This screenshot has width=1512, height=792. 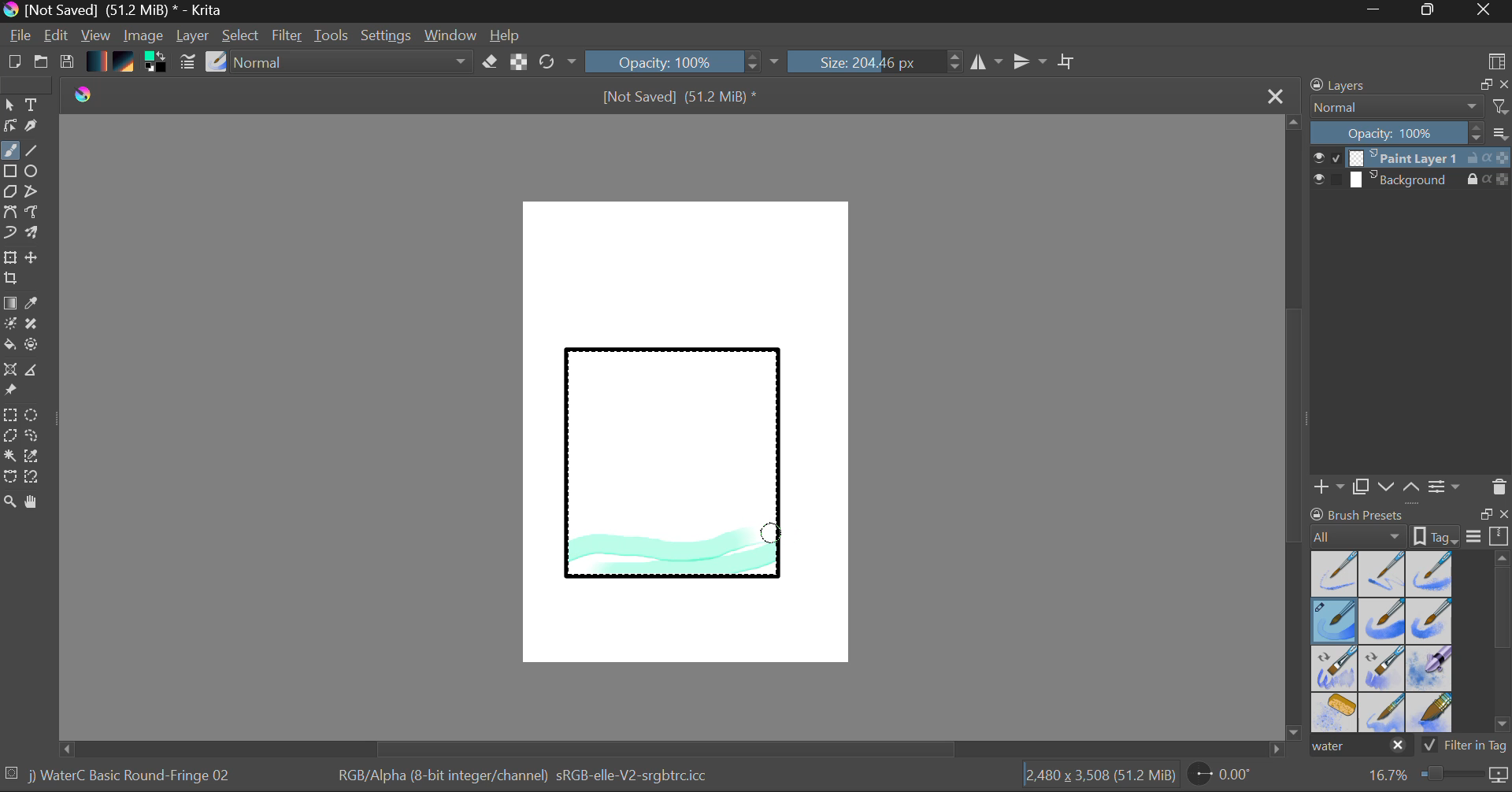 I want to click on Water C - Grain, so click(x=1383, y=622).